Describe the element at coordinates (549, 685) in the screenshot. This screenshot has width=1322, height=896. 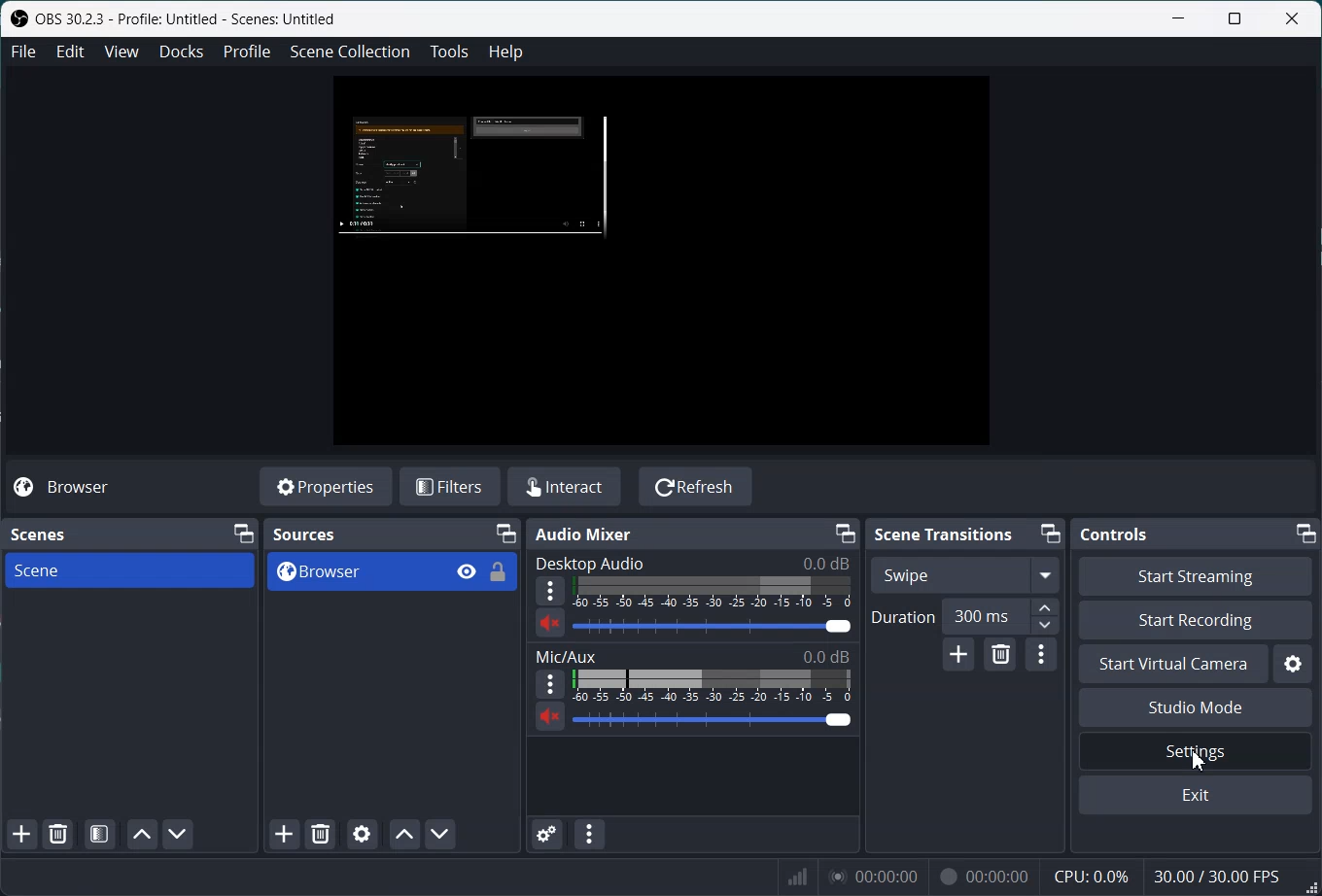
I see `More` at that location.